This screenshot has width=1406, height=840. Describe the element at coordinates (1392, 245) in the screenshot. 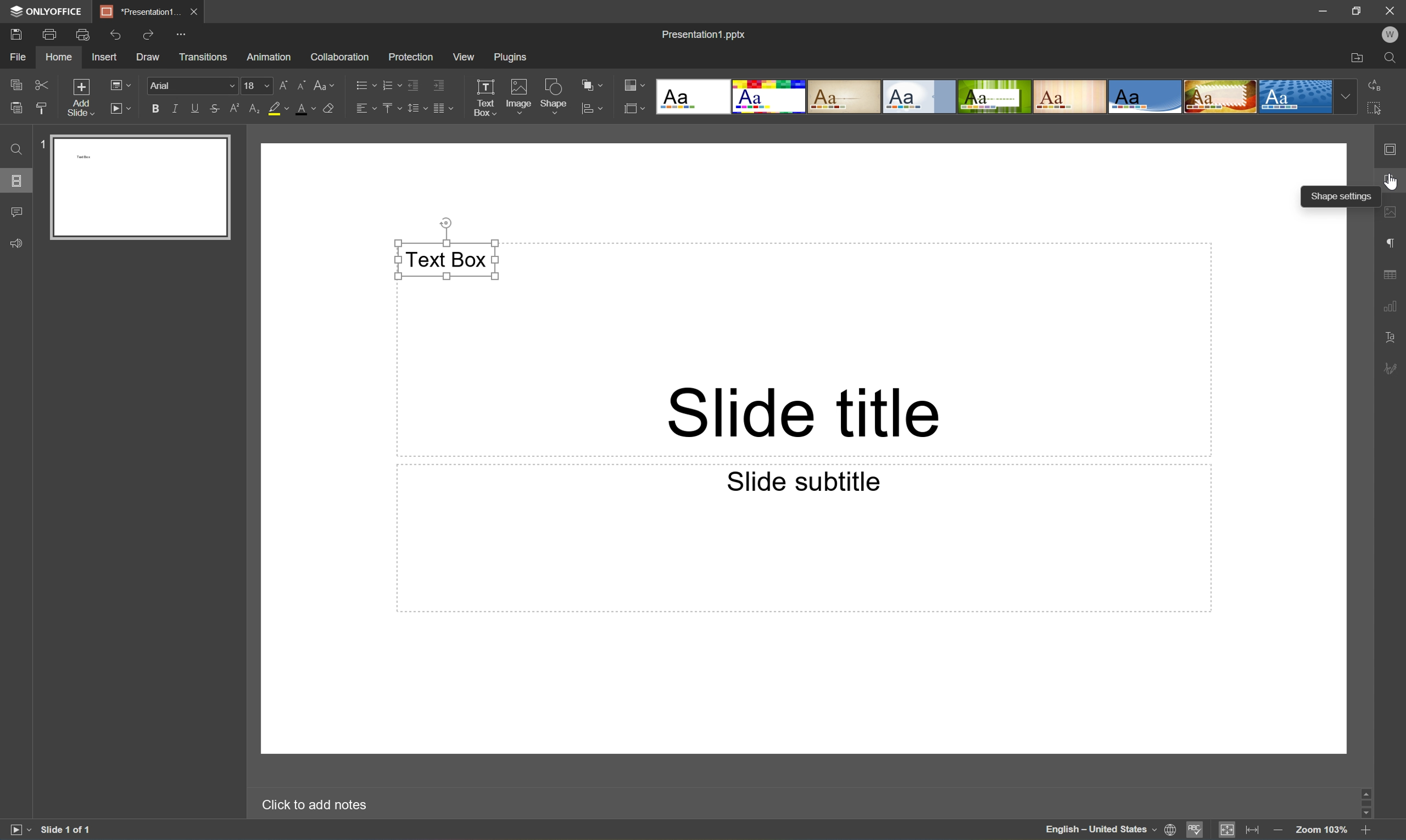

I see `Paragraph settings` at that location.